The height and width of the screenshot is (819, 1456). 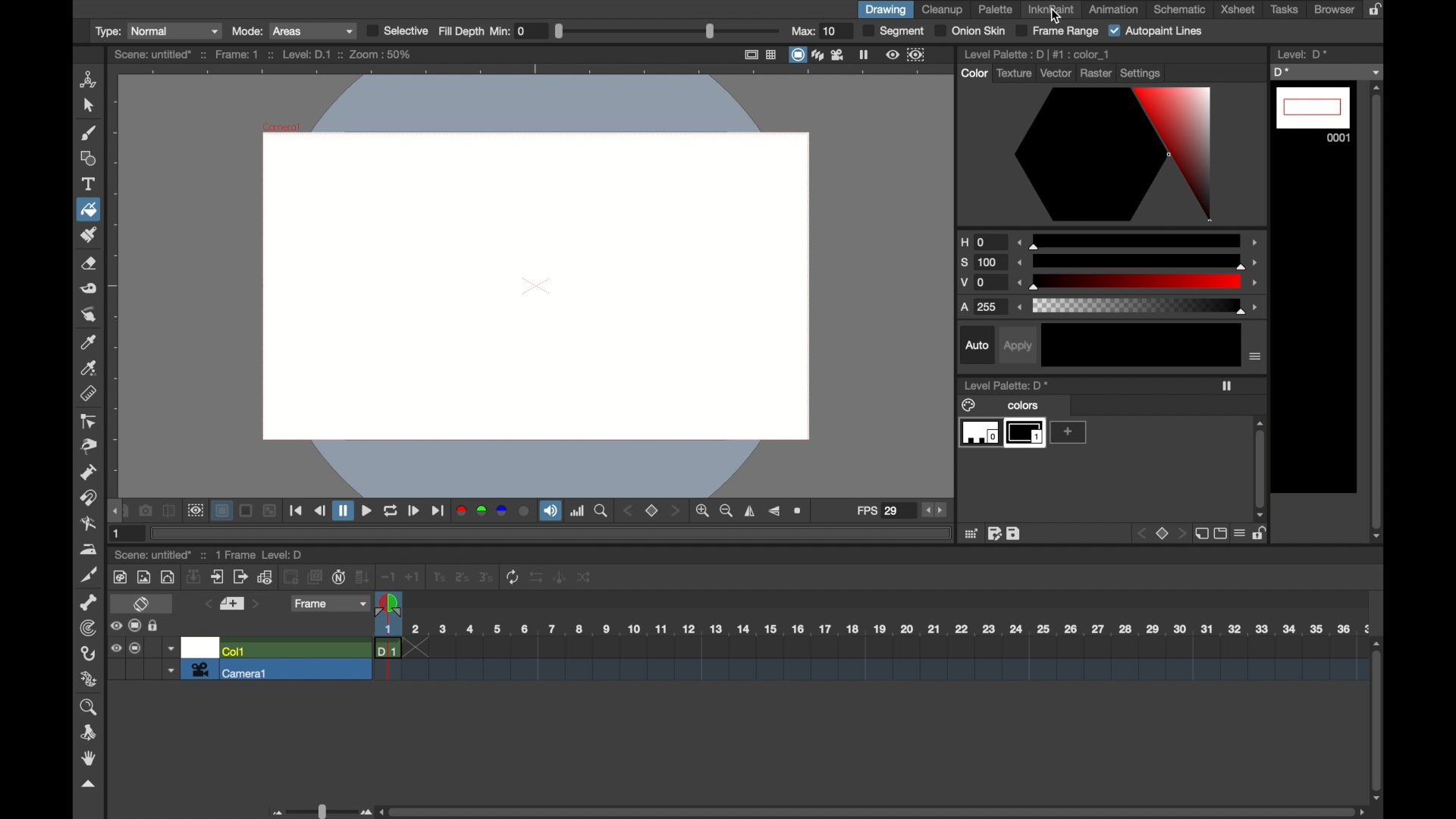 I want to click on change, so click(x=587, y=578).